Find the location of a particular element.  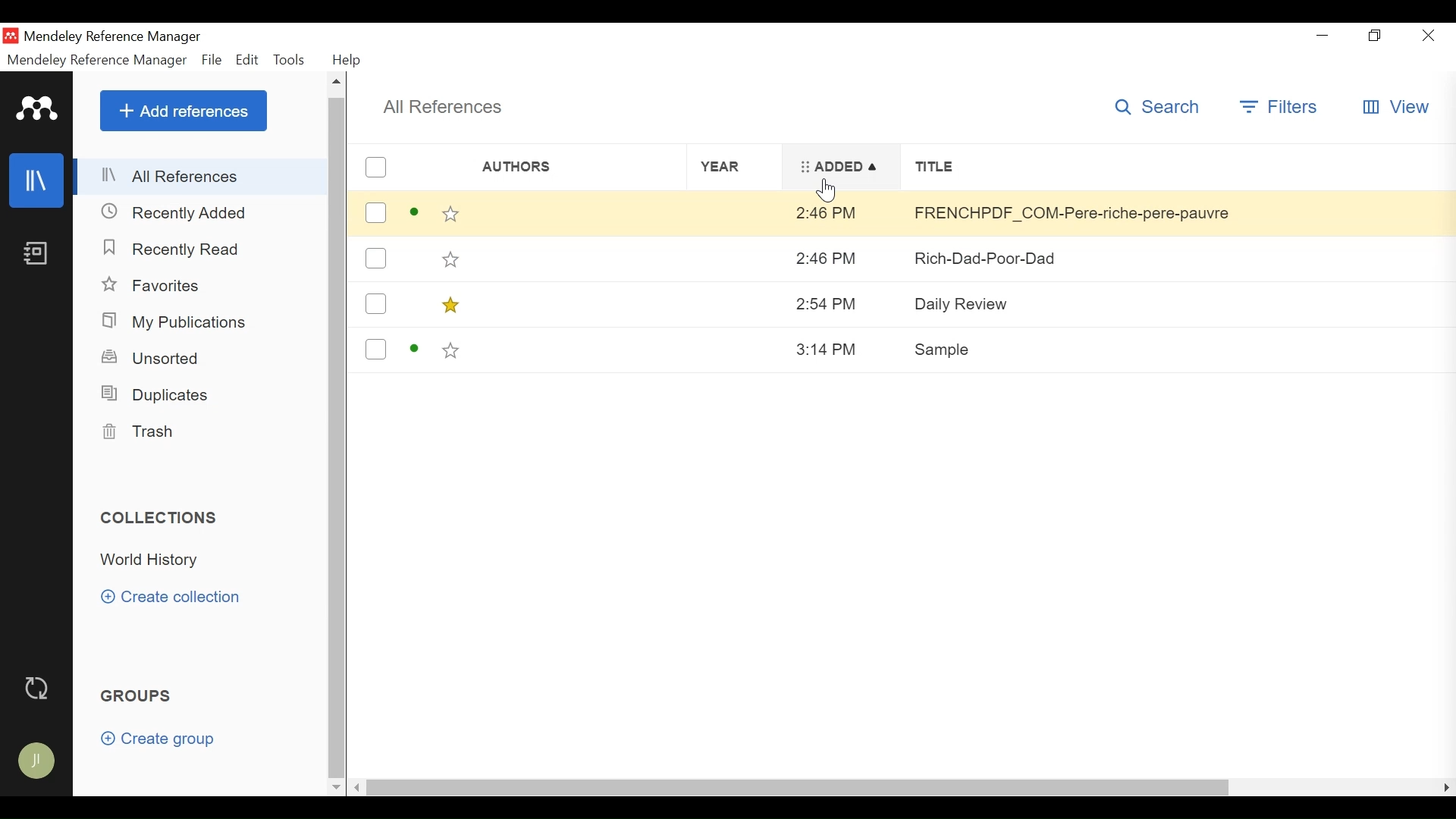

active is located at coordinates (414, 213).